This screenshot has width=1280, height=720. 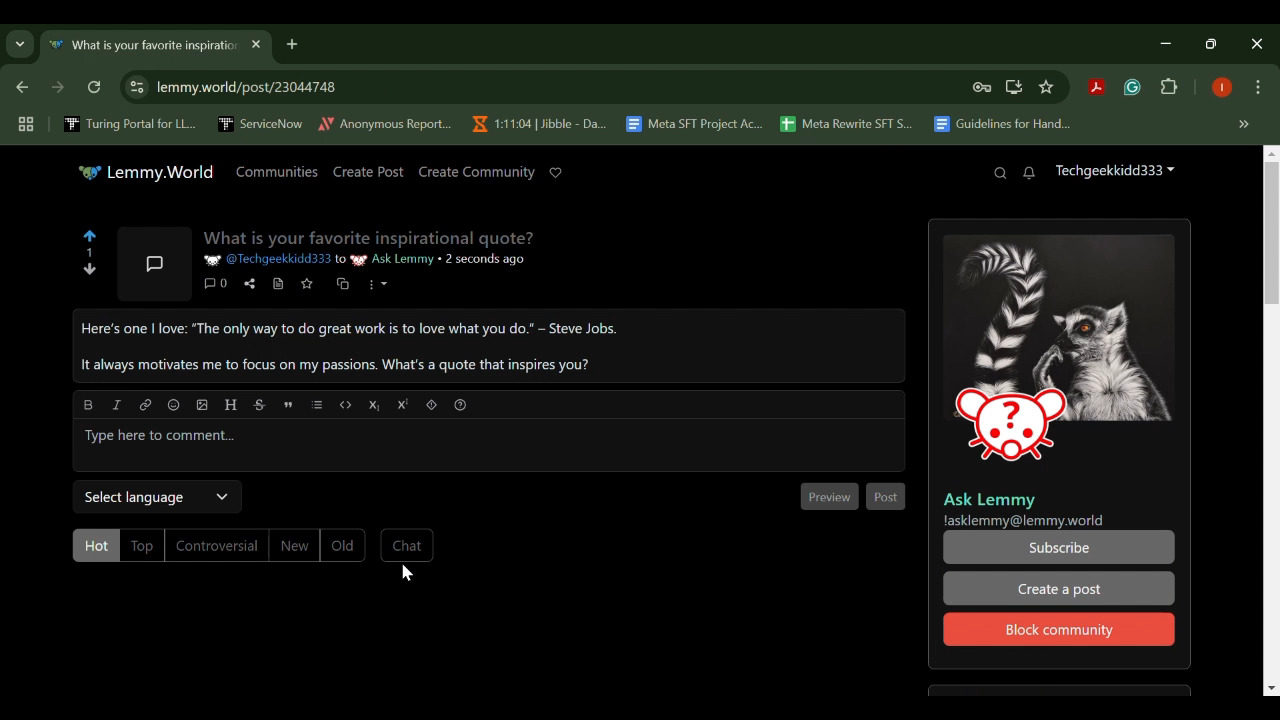 I want to click on Extensions, so click(x=1170, y=88).